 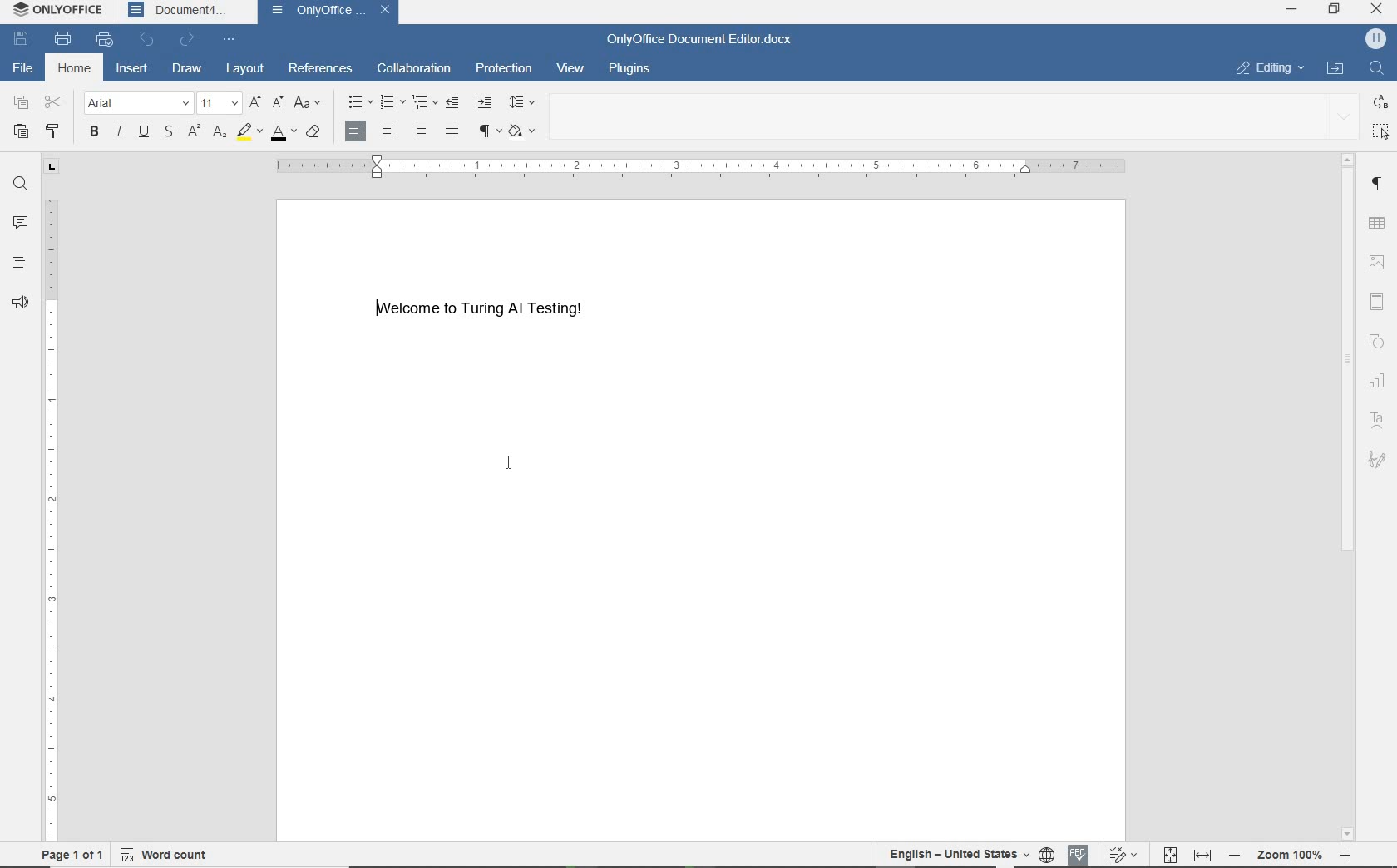 I want to click on references, so click(x=323, y=71).